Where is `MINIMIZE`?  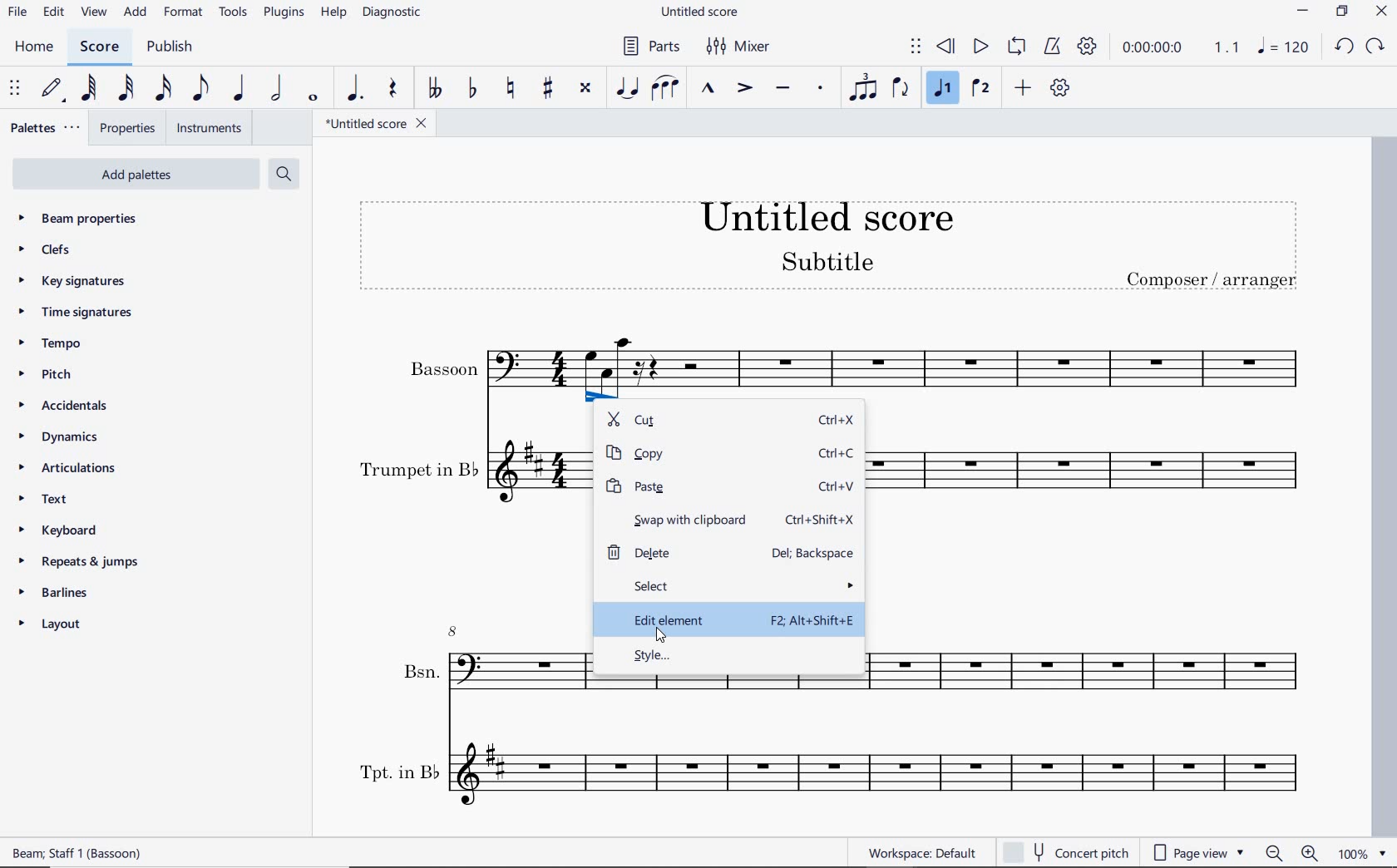 MINIMIZE is located at coordinates (1303, 12).